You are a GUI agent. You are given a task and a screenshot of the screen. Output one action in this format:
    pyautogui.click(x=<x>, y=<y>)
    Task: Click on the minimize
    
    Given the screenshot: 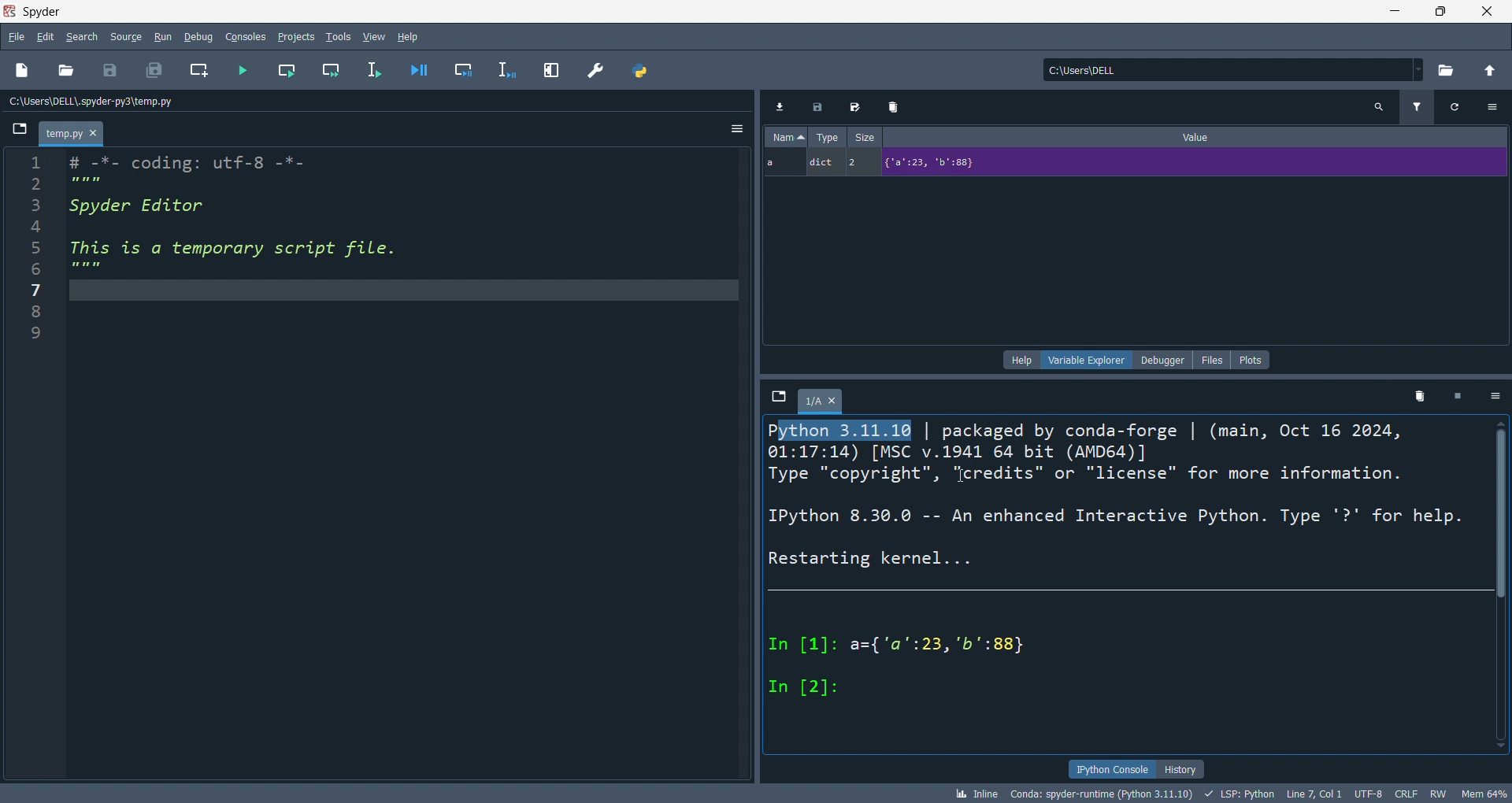 What is the action you would take?
    pyautogui.click(x=1386, y=12)
    